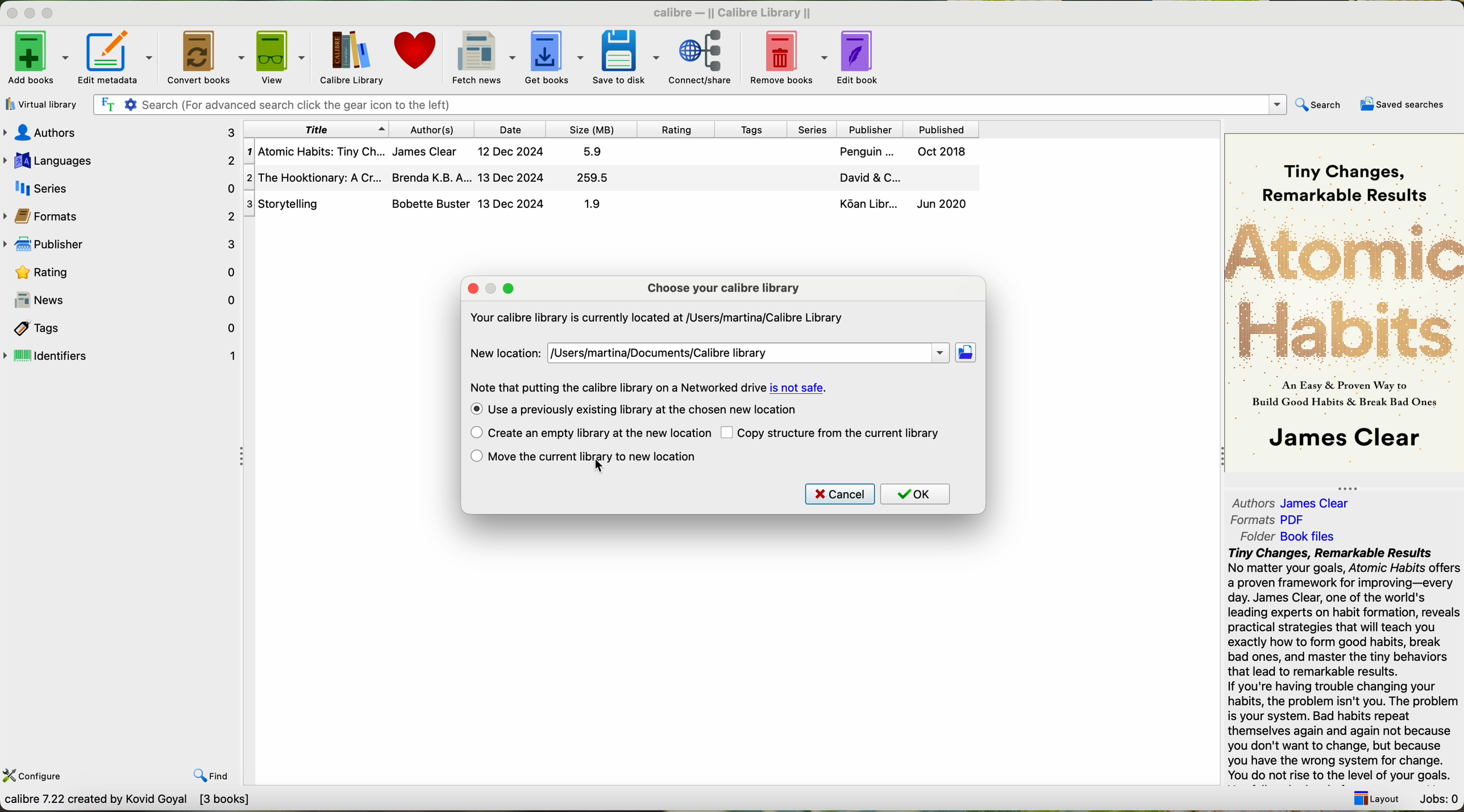 This screenshot has height=812, width=1464. What do you see at coordinates (203, 56) in the screenshot?
I see `convert books` at bounding box center [203, 56].